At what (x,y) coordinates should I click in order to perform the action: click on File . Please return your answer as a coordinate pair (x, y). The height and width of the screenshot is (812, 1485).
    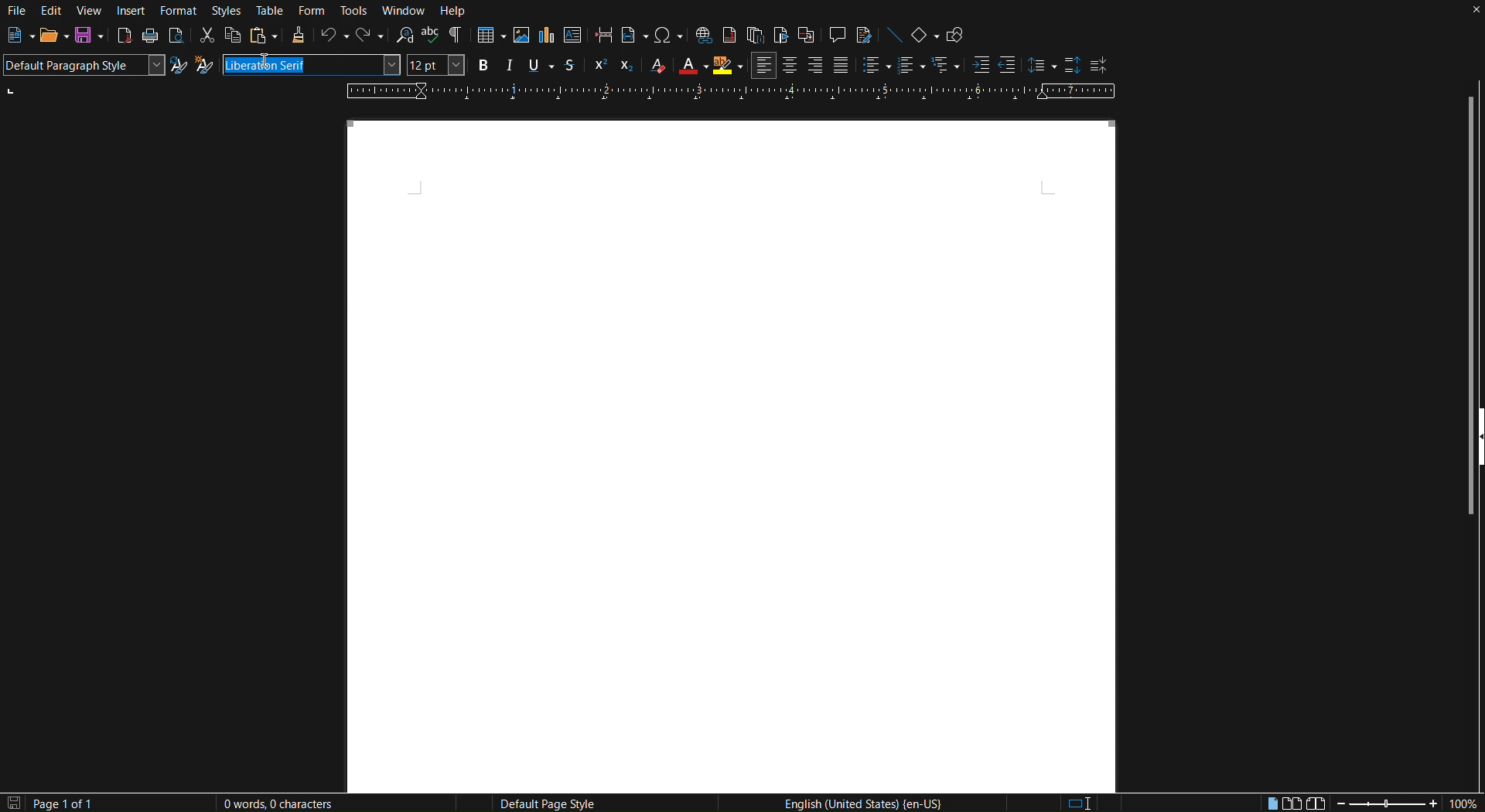
    Looking at the image, I should click on (17, 11).